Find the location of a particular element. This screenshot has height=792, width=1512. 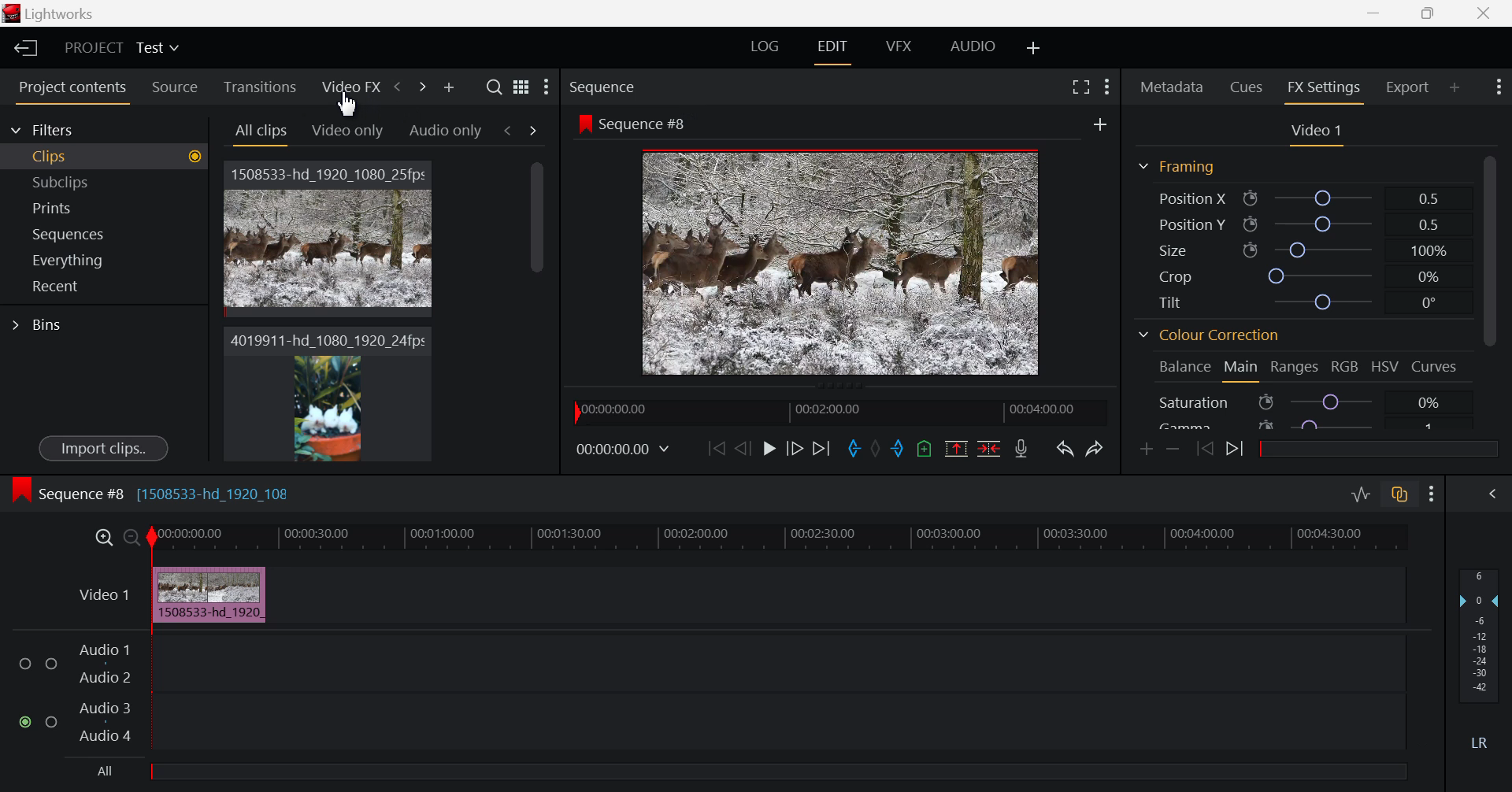

Gamma is located at coordinates (1303, 425).